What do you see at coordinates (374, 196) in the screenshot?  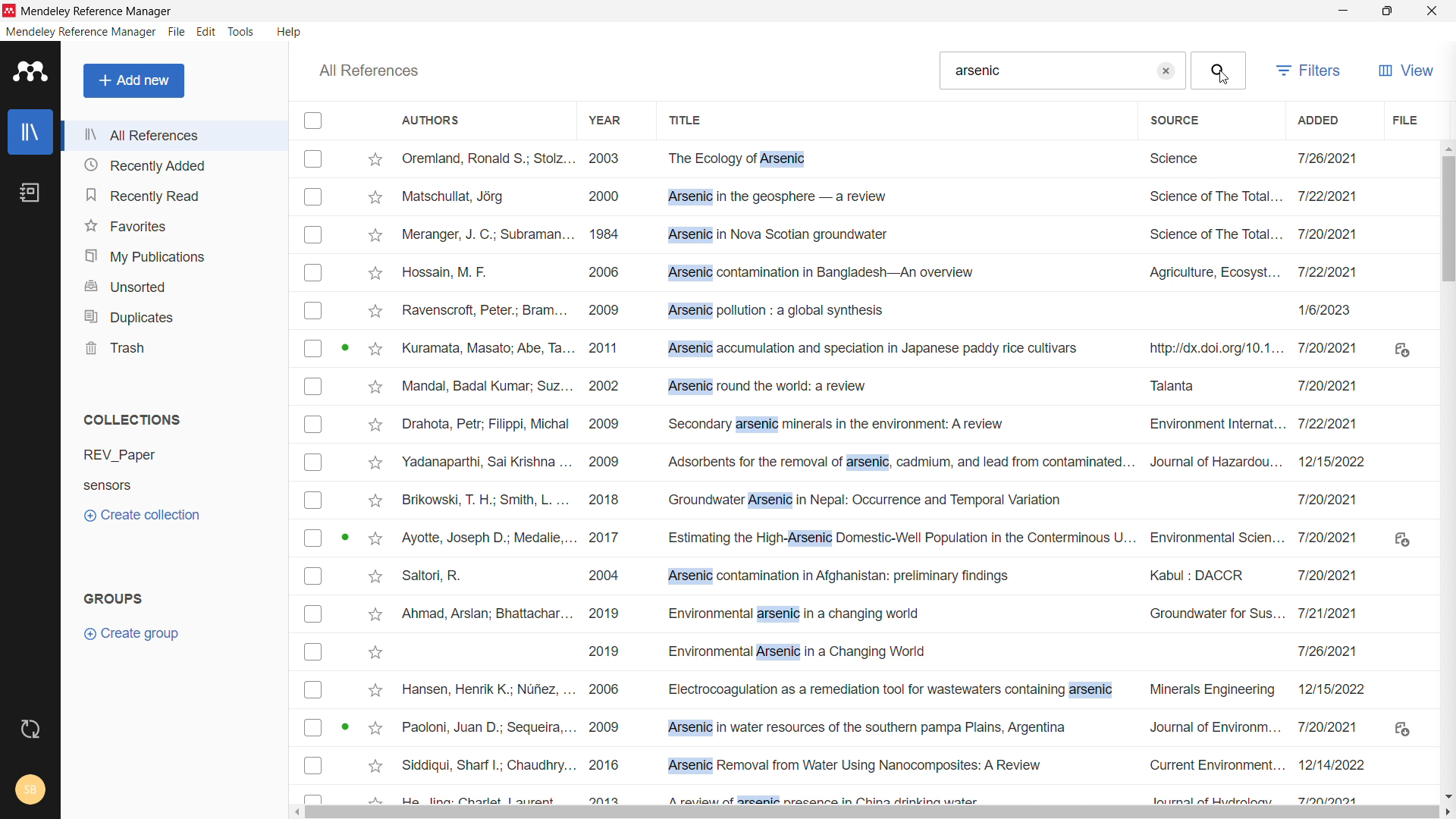 I see `Add to favorites` at bounding box center [374, 196].